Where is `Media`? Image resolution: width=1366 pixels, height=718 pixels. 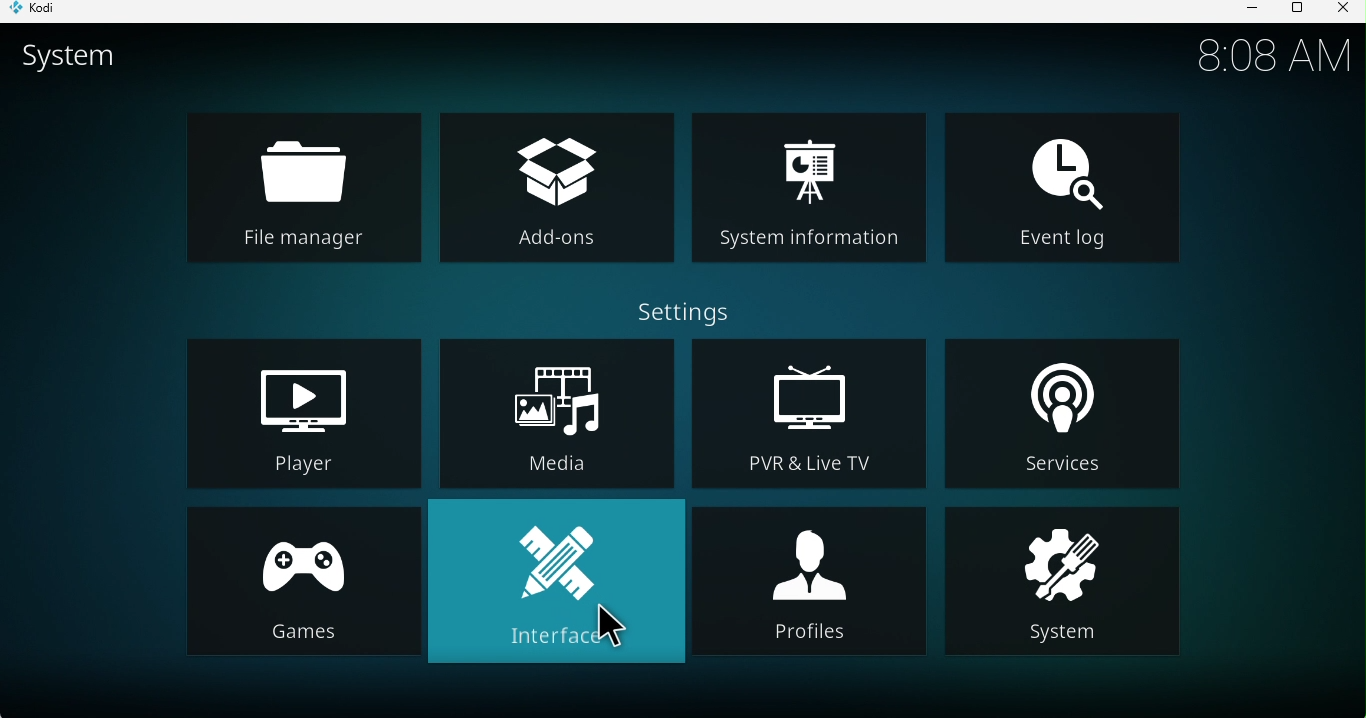 Media is located at coordinates (559, 415).